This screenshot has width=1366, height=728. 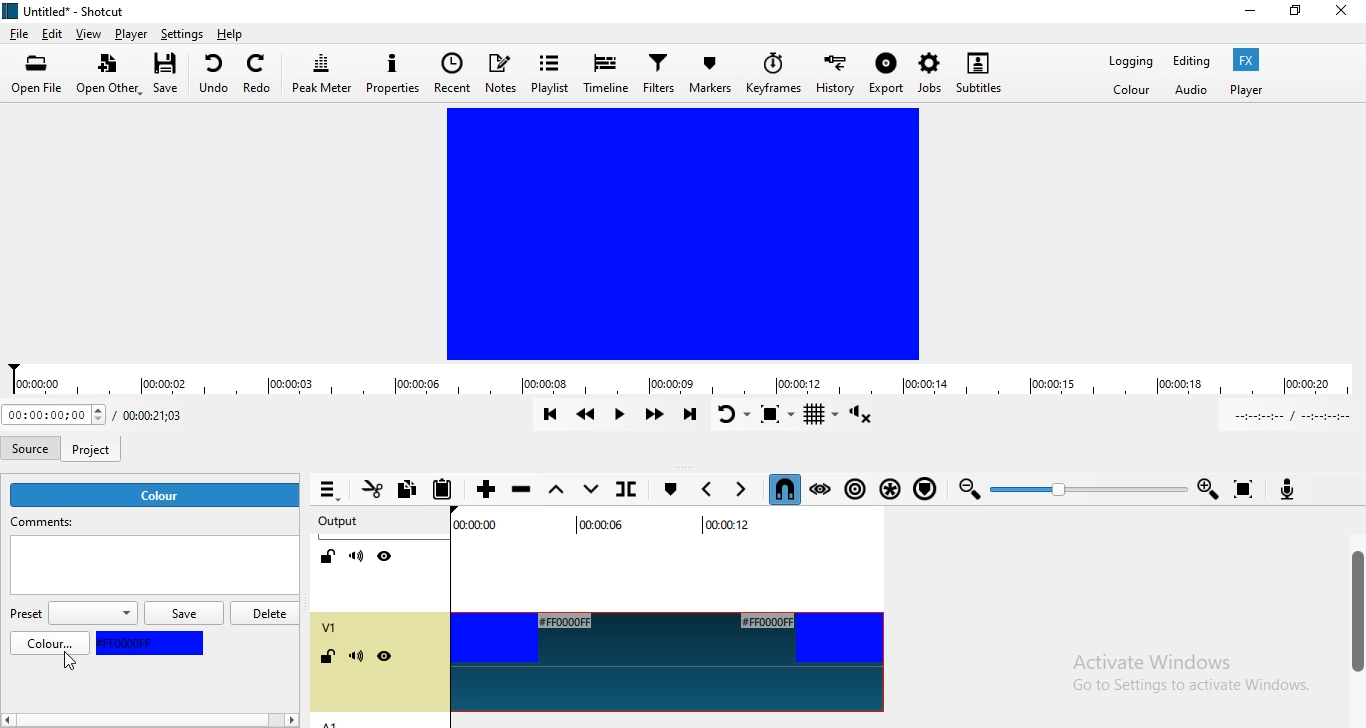 I want to click on Properties, so click(x=394, y=71).